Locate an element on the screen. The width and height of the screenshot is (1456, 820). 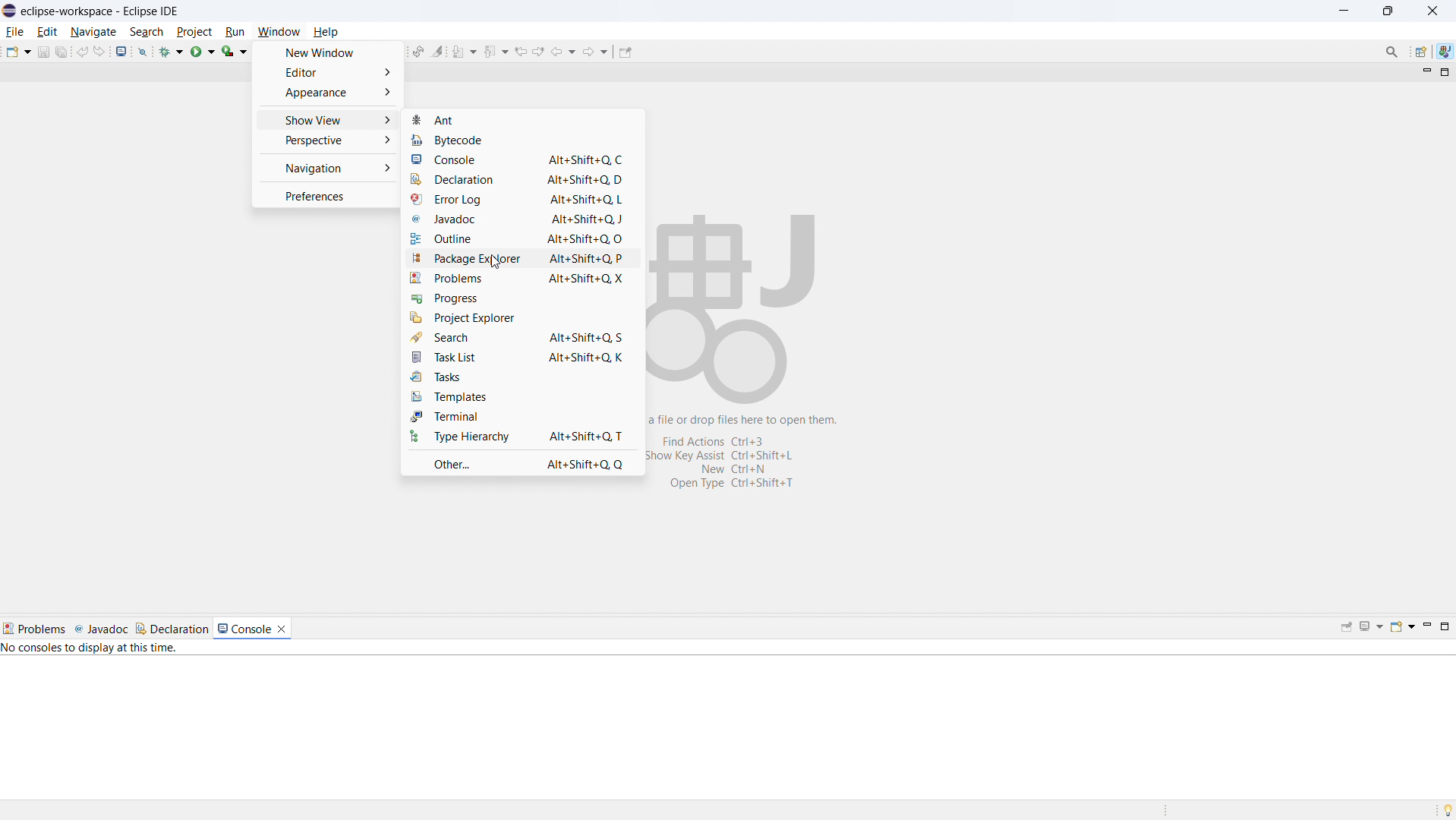
minimize is located at coordinates (1426, 628).